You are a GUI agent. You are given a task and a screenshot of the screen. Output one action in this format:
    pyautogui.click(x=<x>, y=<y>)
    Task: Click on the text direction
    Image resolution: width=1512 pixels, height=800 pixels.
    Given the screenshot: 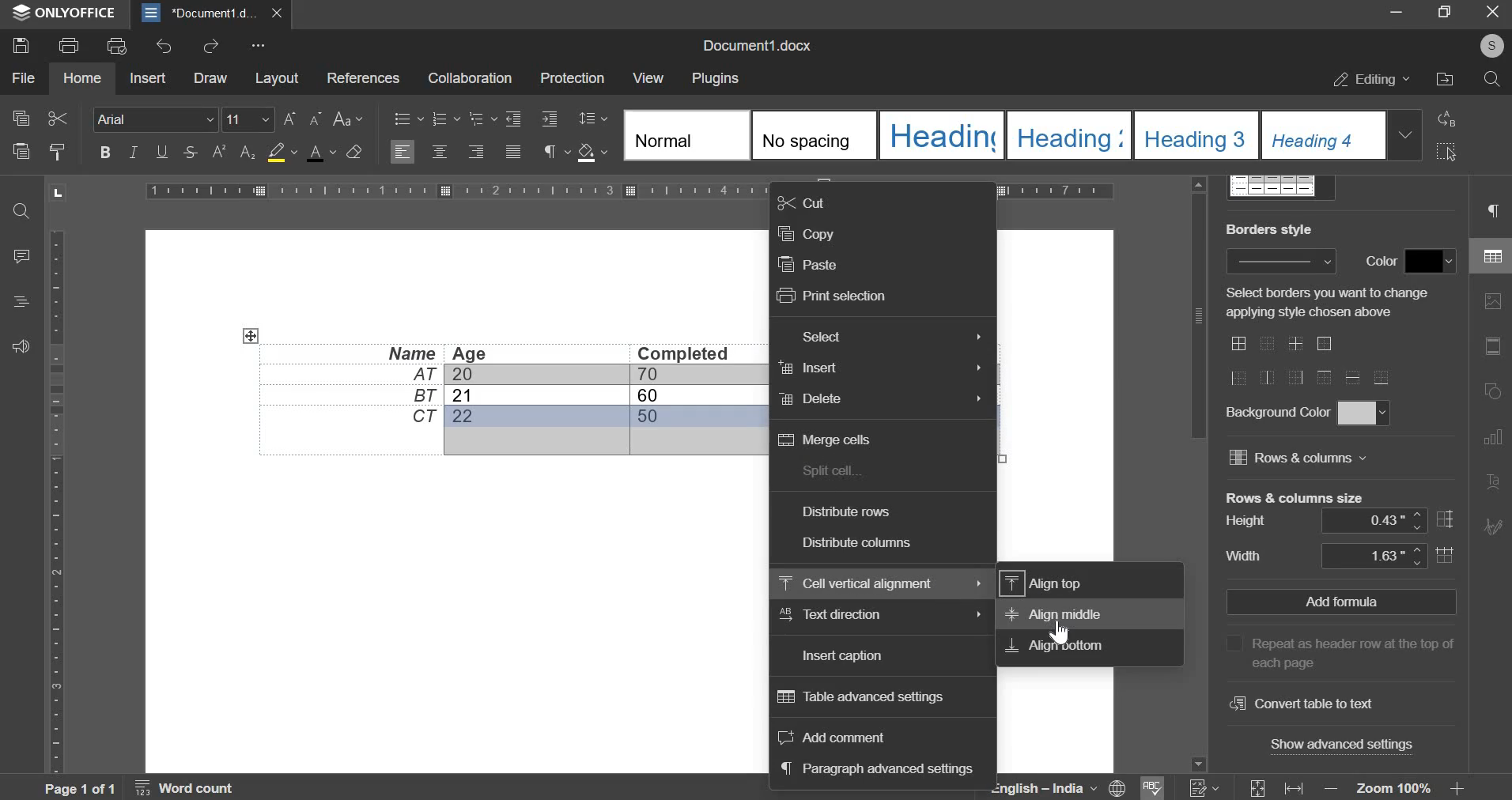 What is the action you would take?
    pyautogui.click(x=836, y=614)
    